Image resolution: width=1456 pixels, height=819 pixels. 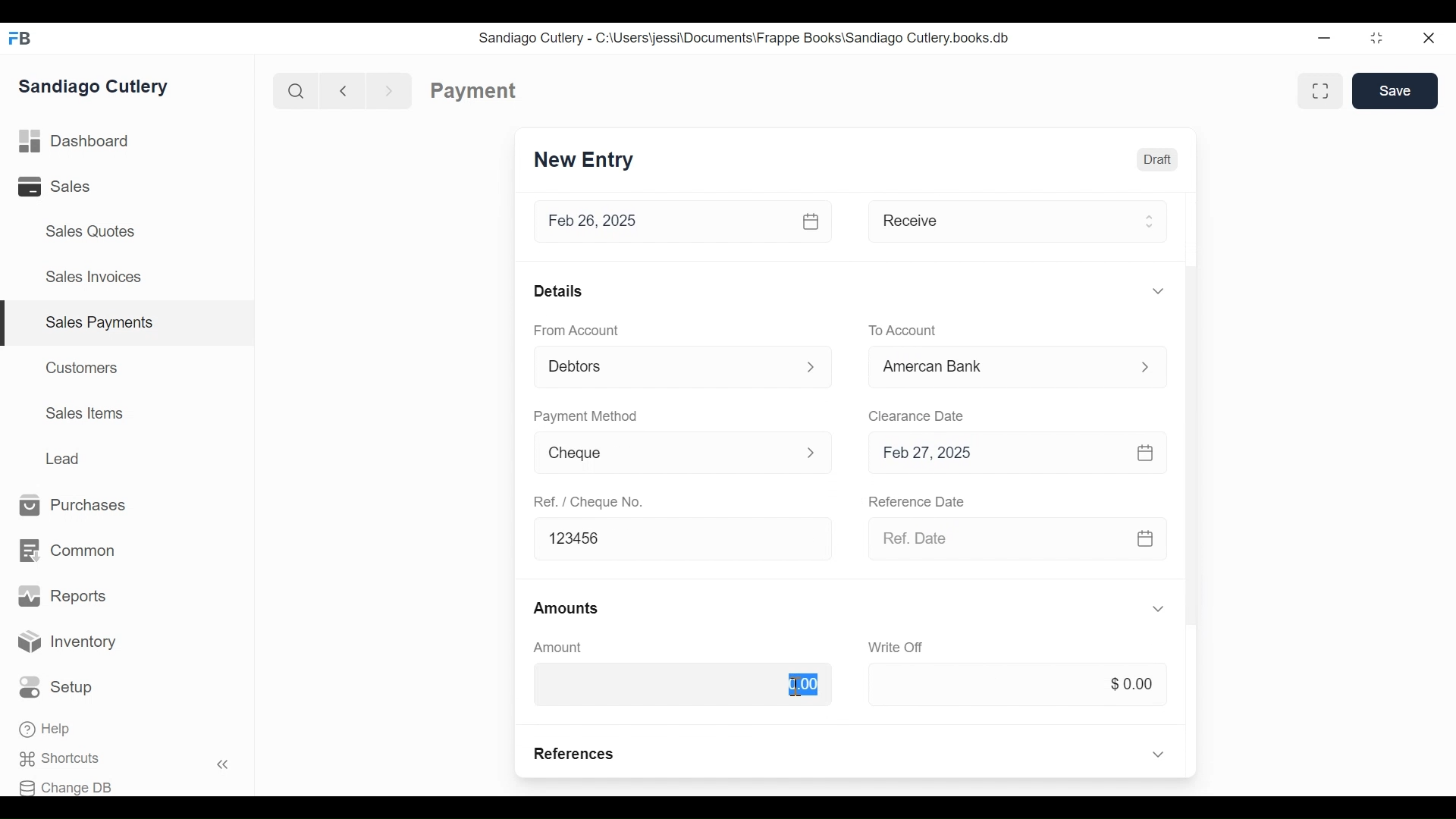 I want to click on Calendar, so click(x=811, y=221).